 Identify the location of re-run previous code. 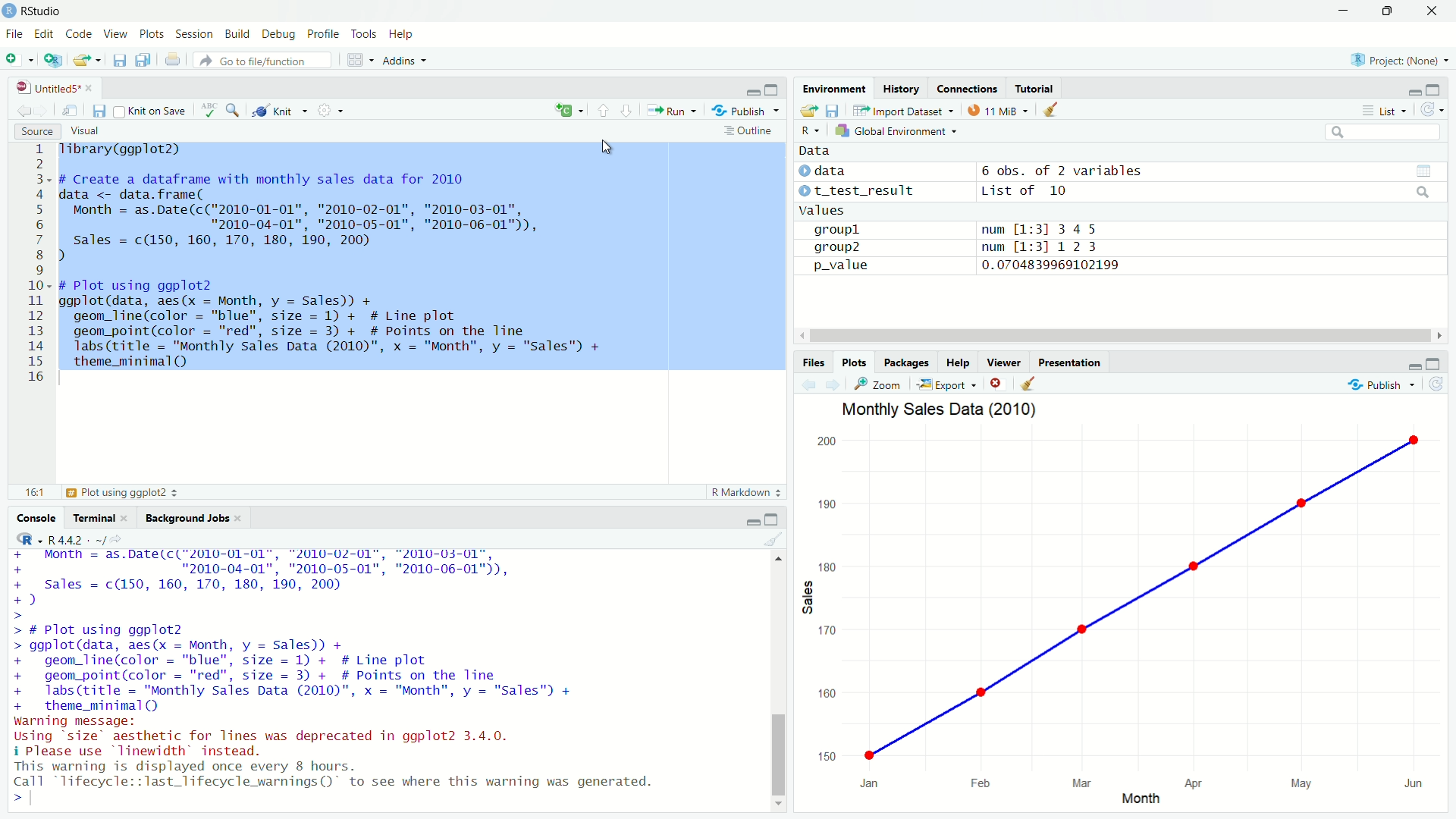
(566, 111).